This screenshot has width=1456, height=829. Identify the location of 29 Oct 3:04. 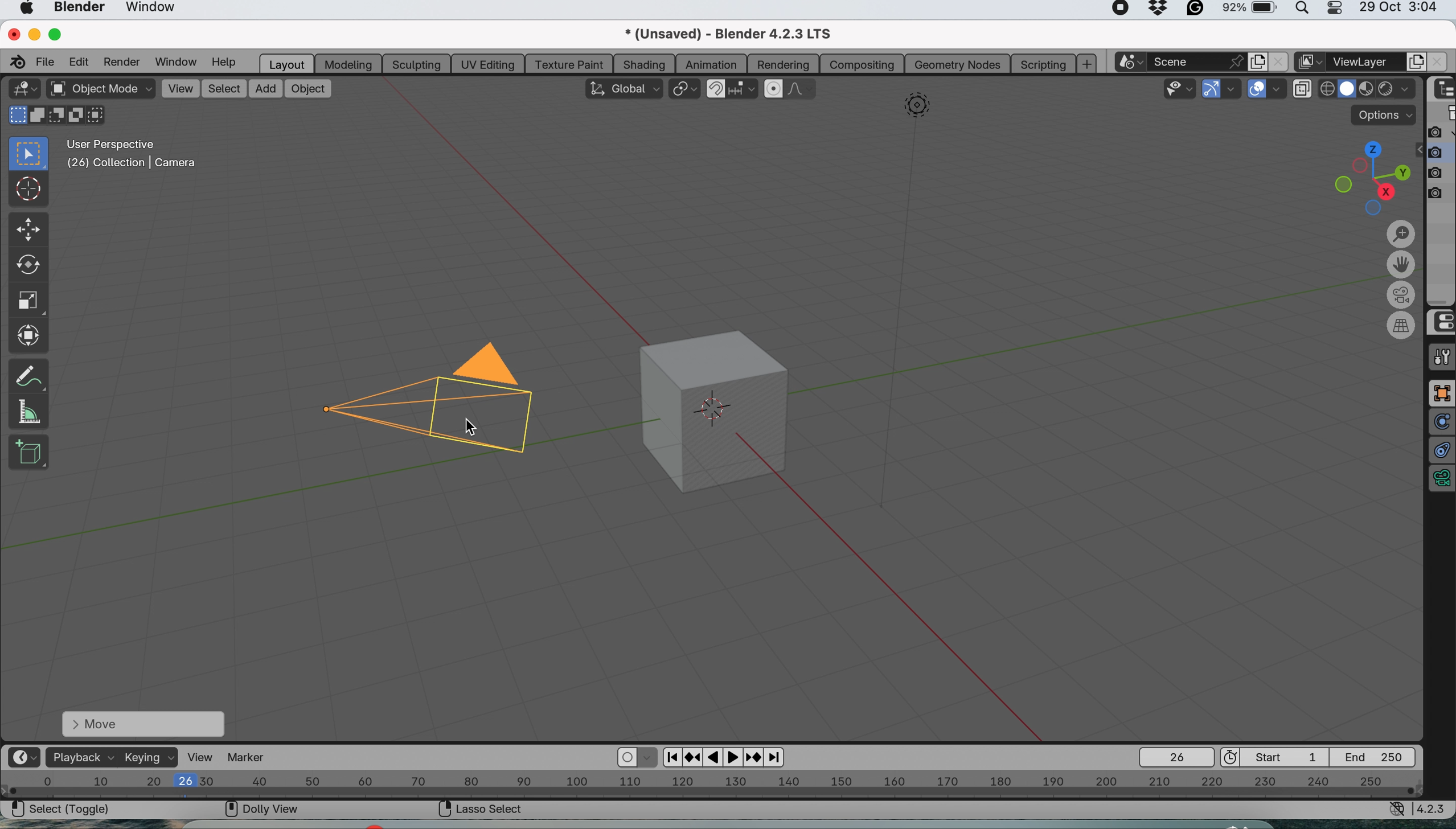
(1398, 8).